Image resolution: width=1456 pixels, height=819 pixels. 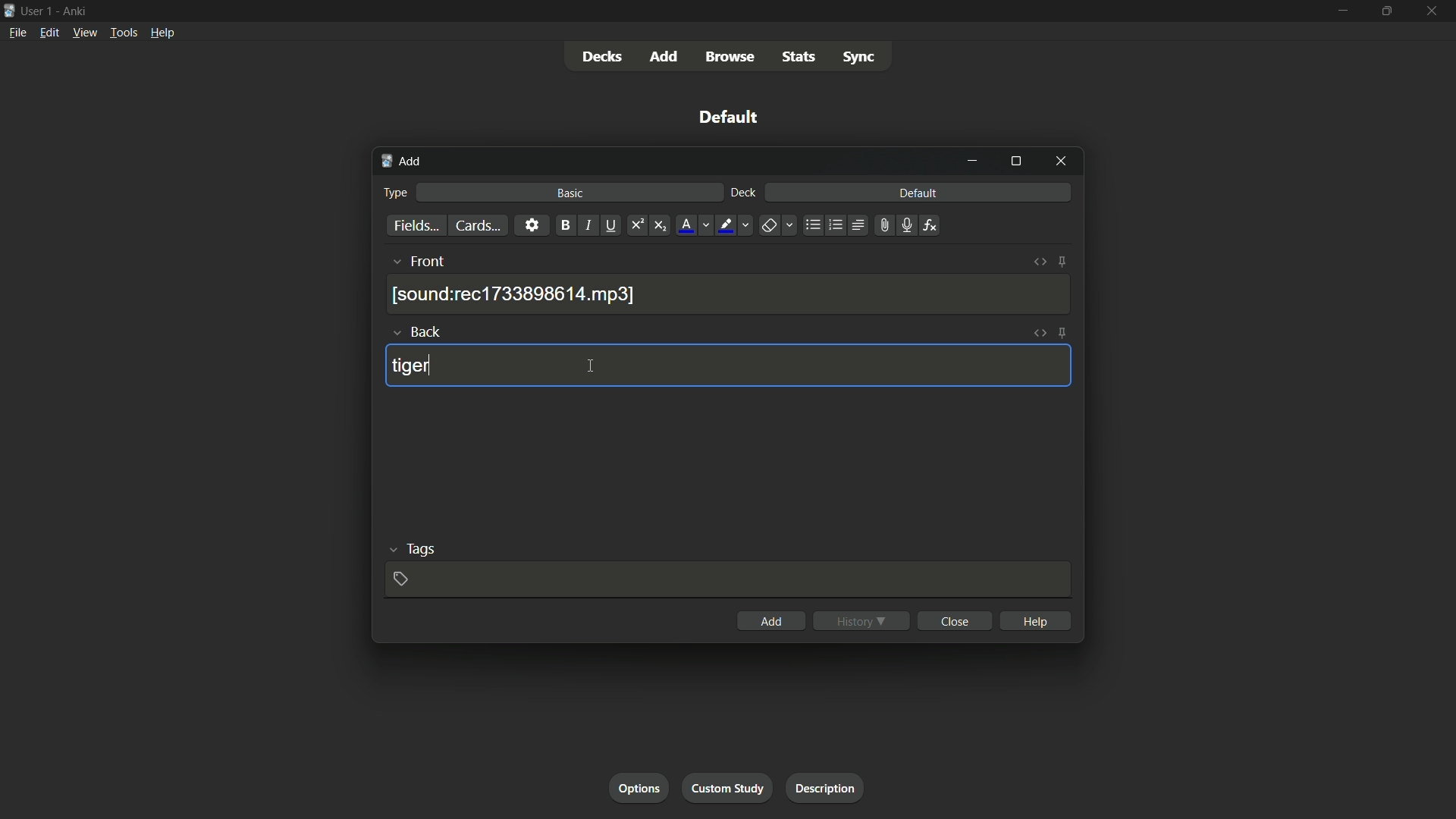 What do you see at coordinates (858, 59) in the screenshot?
I see `sync` at bounding box center [858, 59].